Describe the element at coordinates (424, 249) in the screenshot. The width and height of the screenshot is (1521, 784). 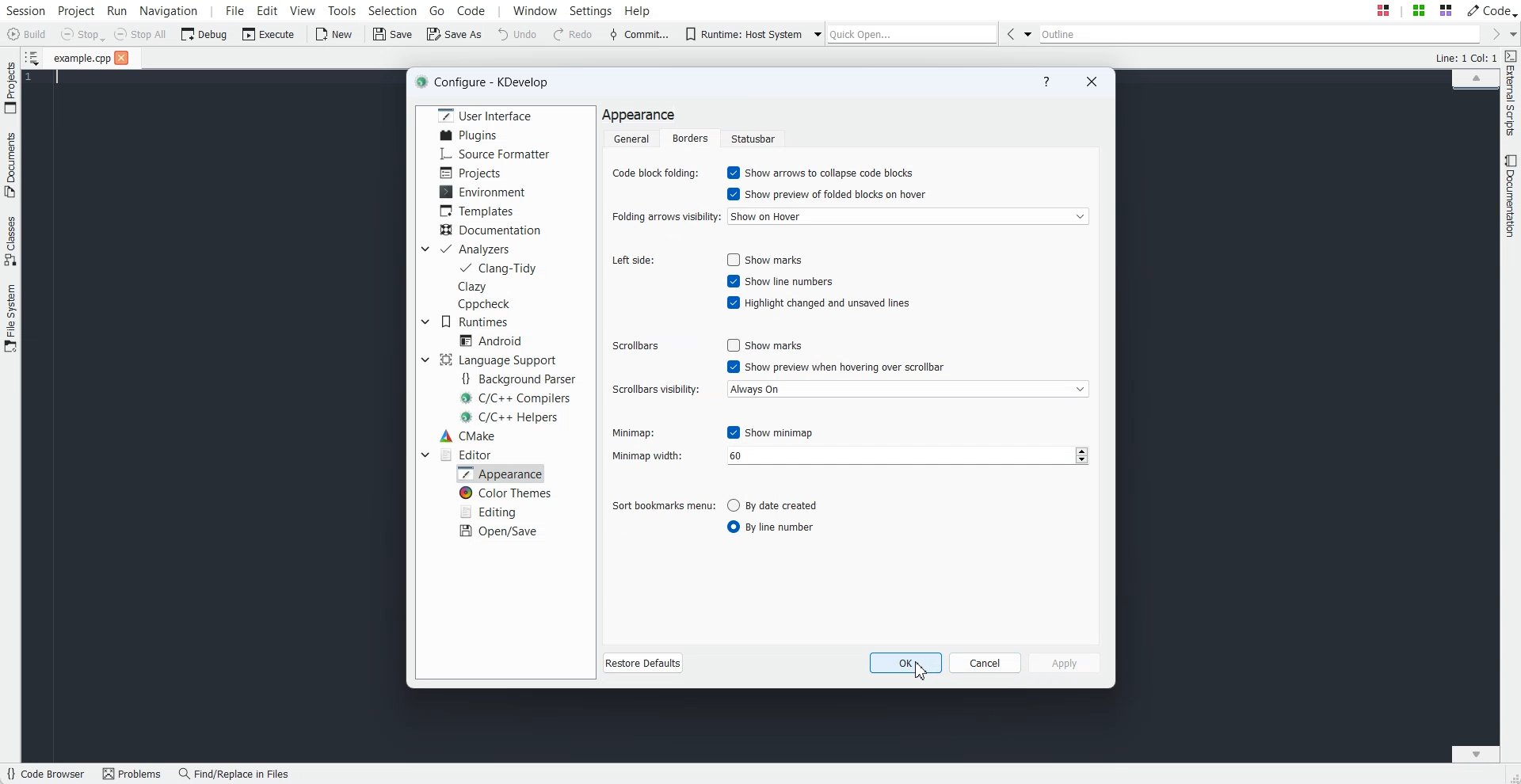
I see `Drop down box` at that location.